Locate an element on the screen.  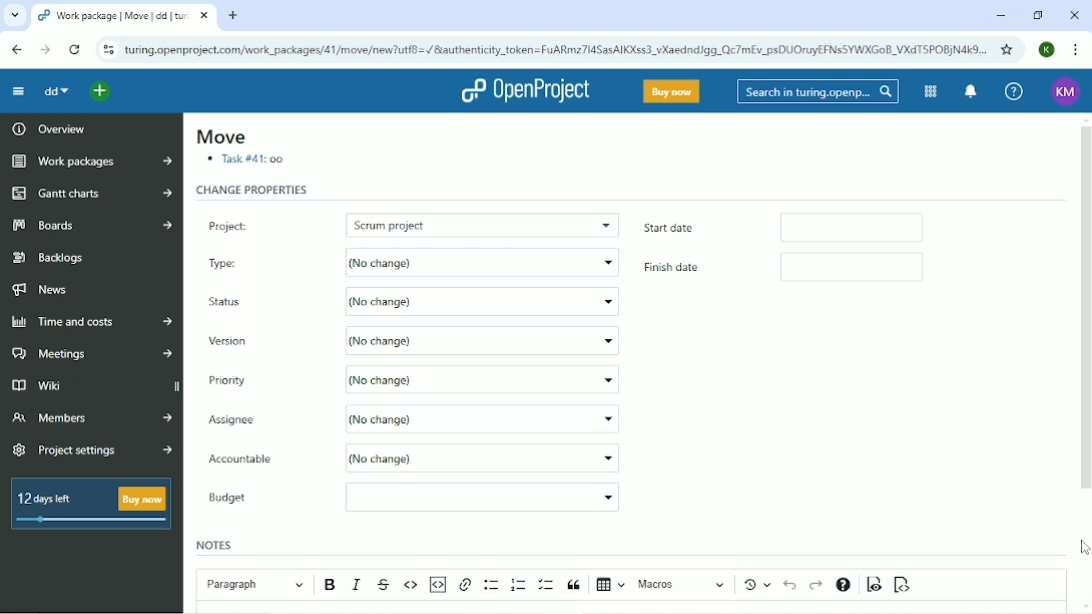
Version is located at coordinates (232, 342).